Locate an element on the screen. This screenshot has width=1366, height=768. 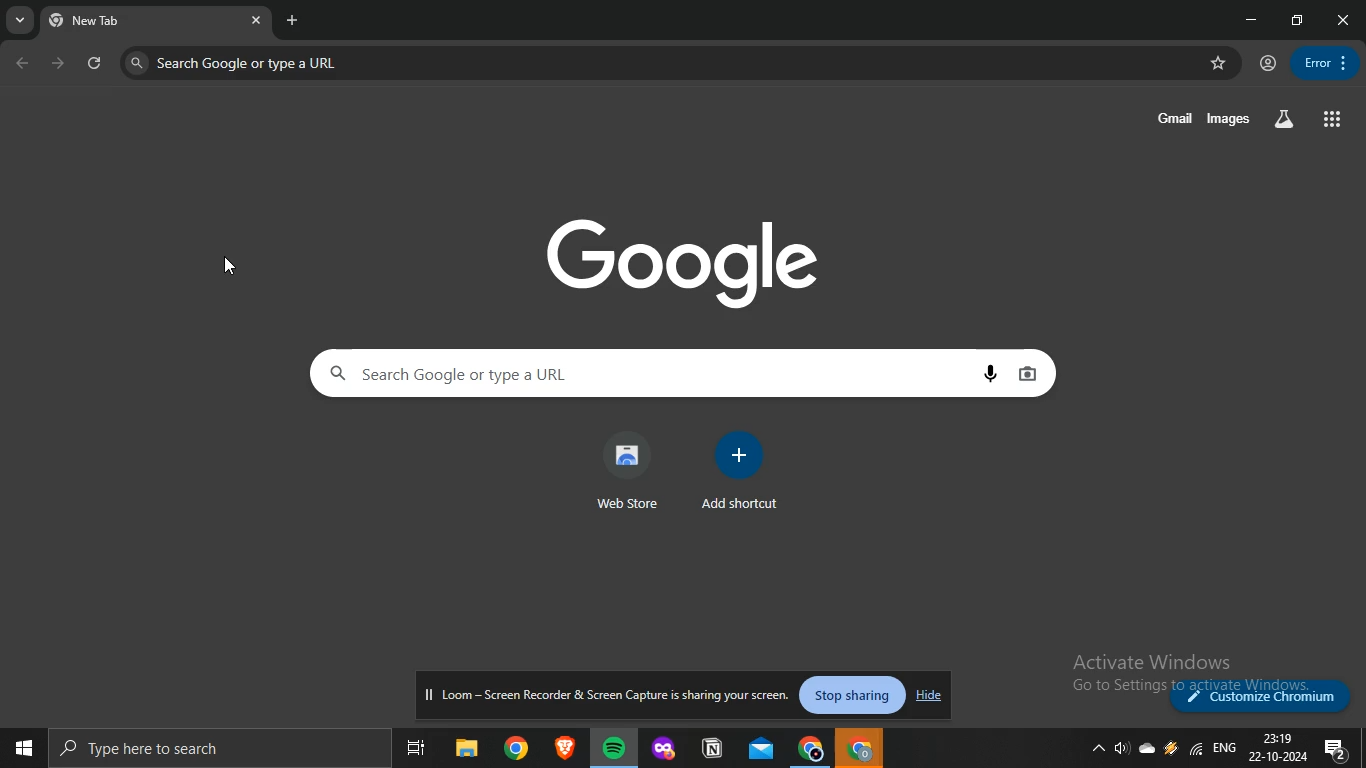
manage profie is located at coordinates (1268, 64).